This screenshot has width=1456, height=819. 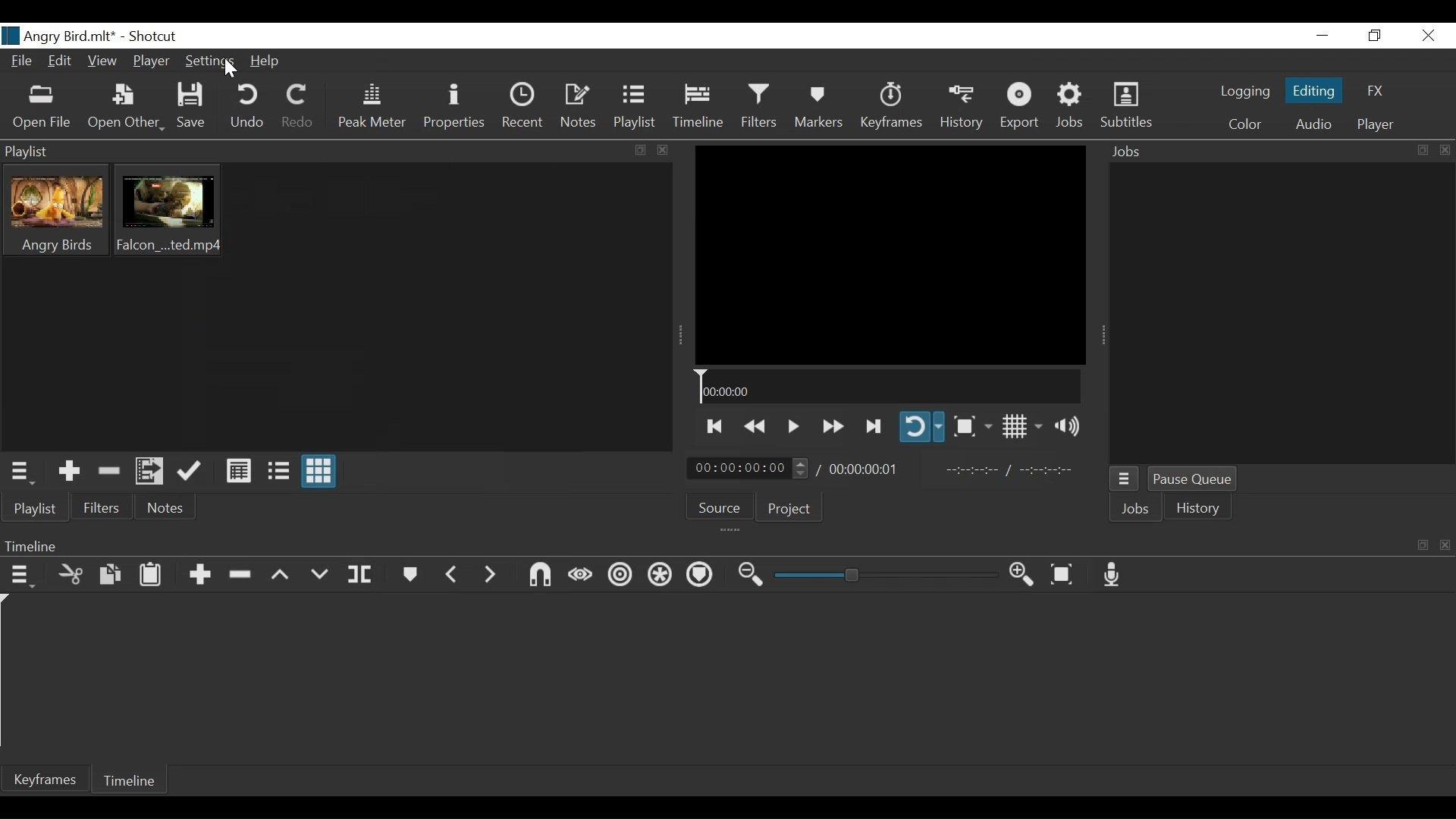 What do you see at coordinates (890, 386) in the screenshot?
I see `Timeline` at bounding box center [890, 386].